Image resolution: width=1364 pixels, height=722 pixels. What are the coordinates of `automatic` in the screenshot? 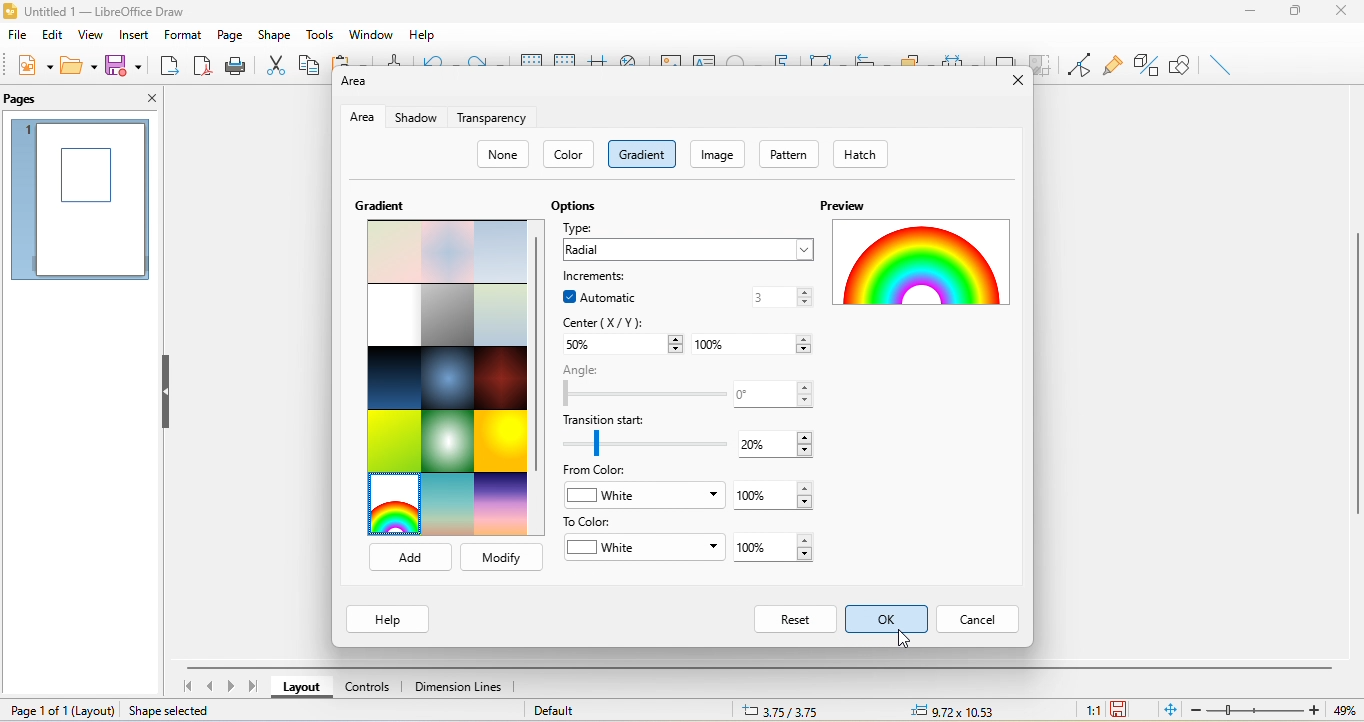 It's located at (599, 296).